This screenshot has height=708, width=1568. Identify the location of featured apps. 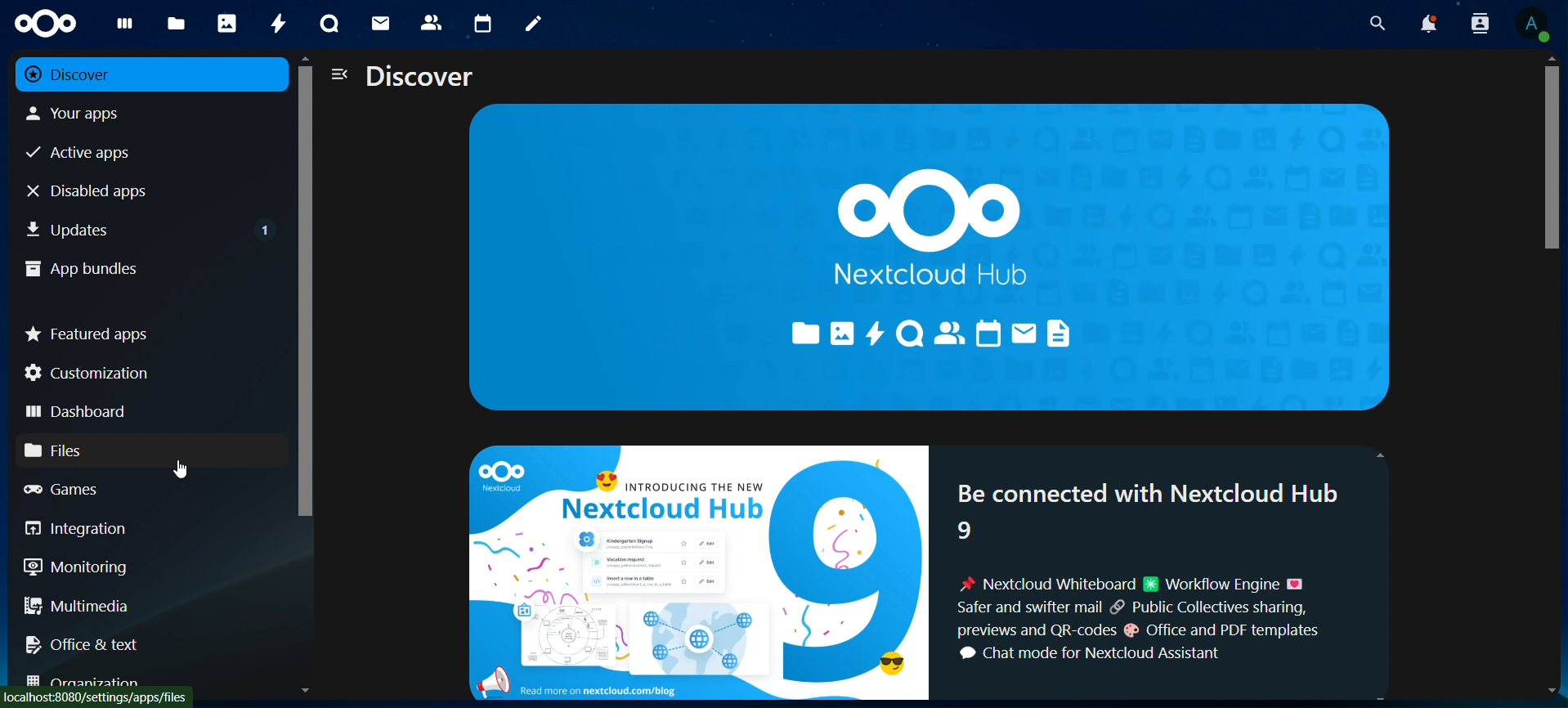
(88, 330).